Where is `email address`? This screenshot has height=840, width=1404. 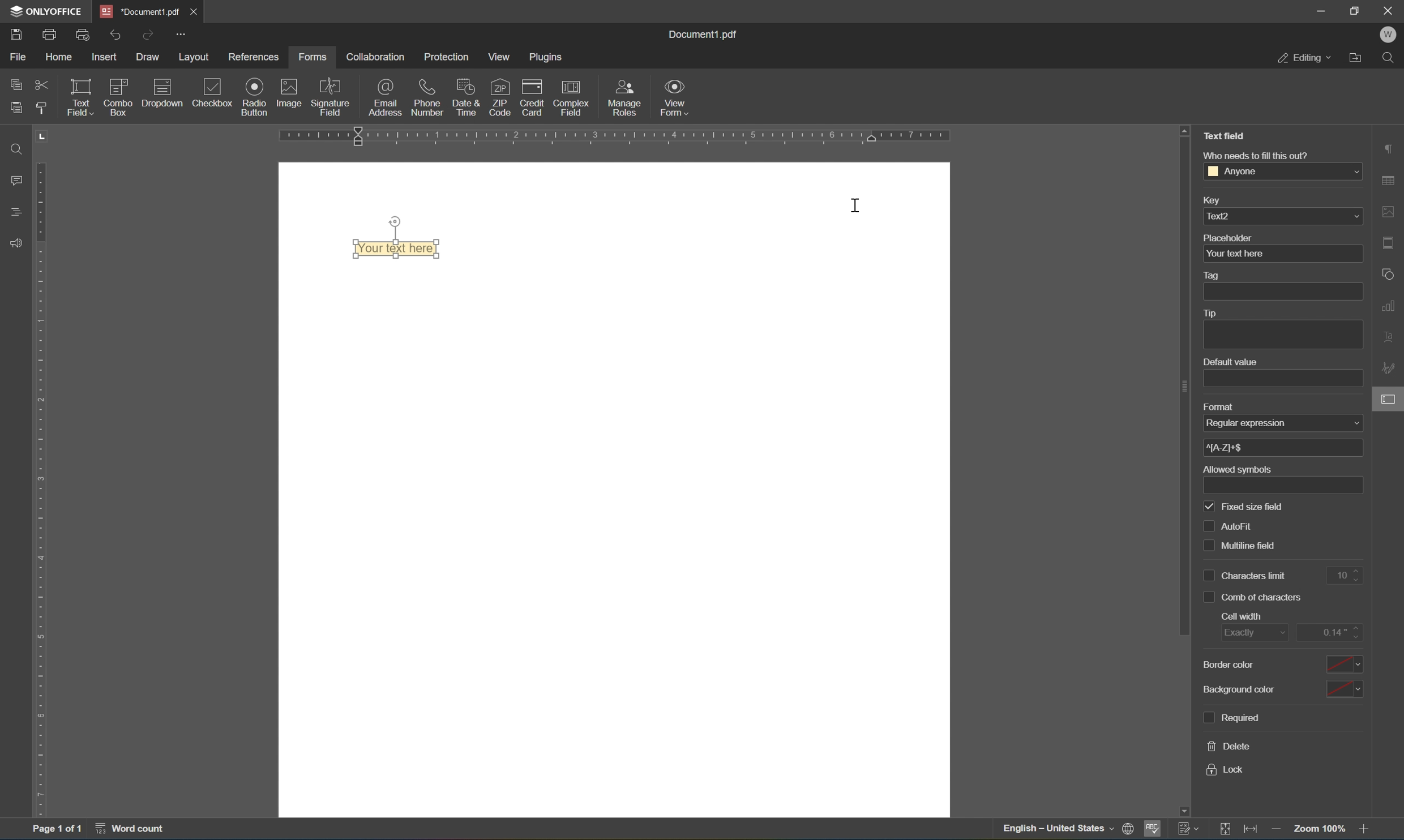
email address is located at coordinates (384, 98).